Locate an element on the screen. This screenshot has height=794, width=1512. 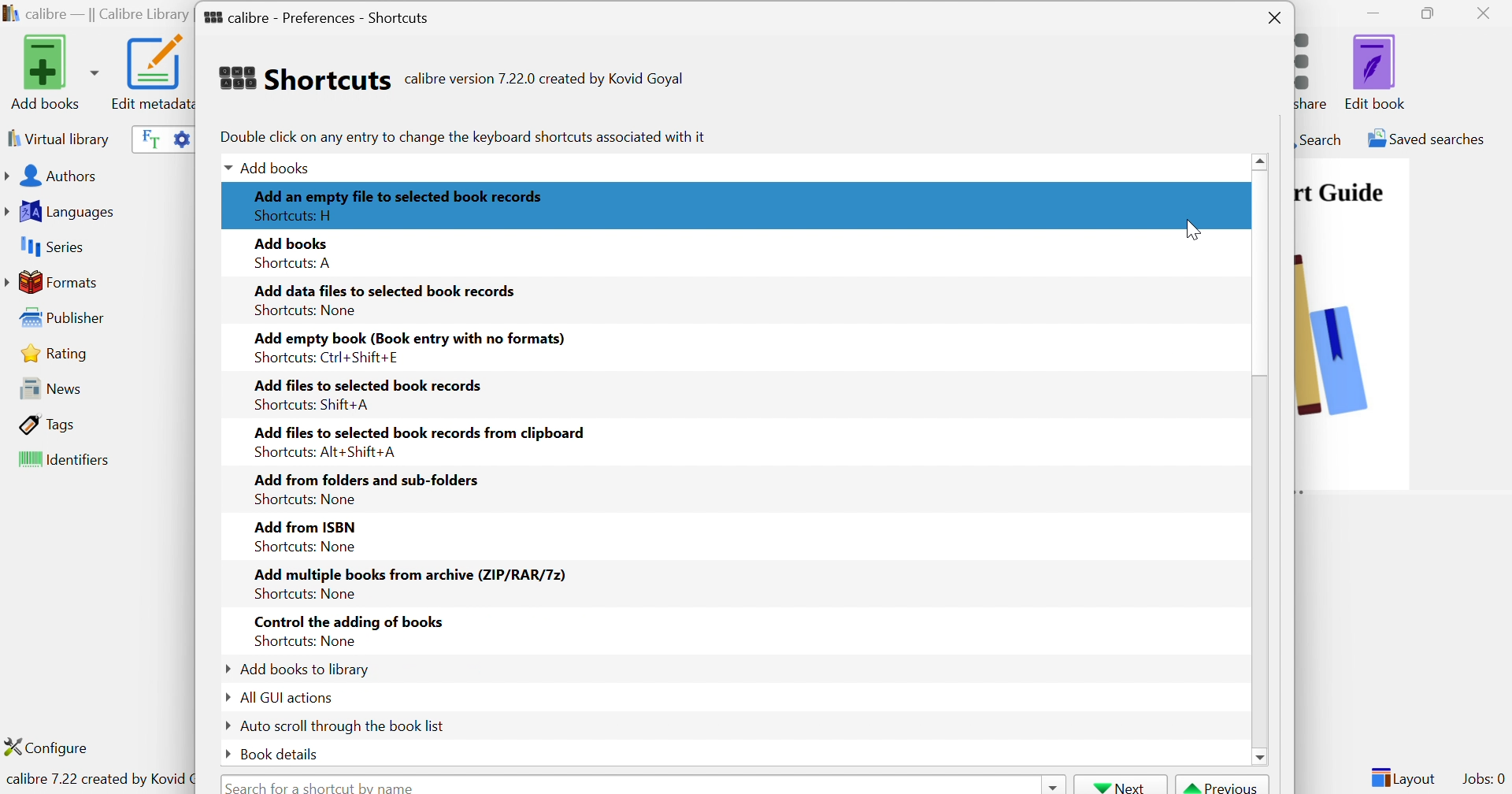
Publisher is located at coordinates (66, 318).